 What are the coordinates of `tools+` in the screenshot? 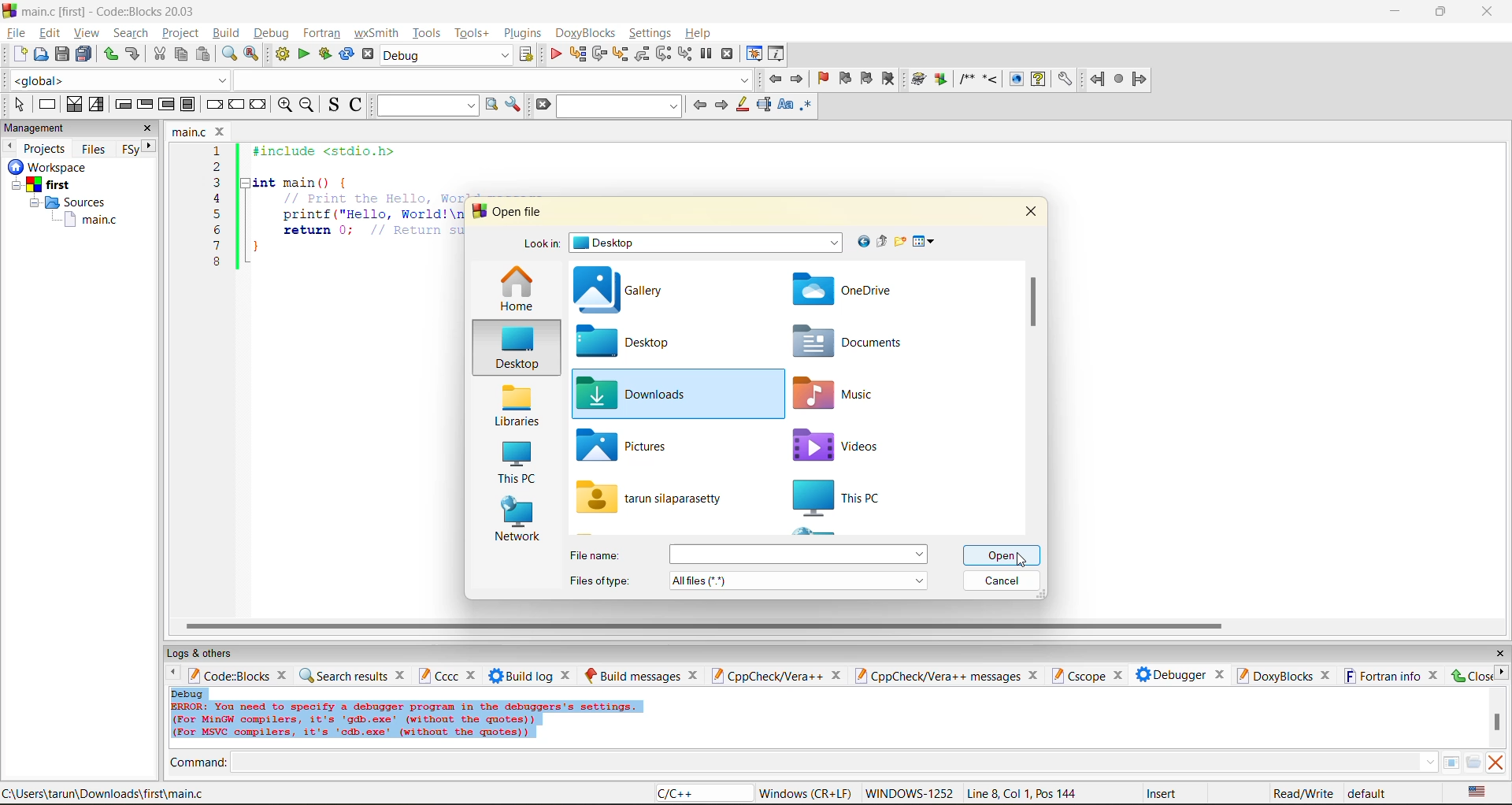 It's located at (472, 33).